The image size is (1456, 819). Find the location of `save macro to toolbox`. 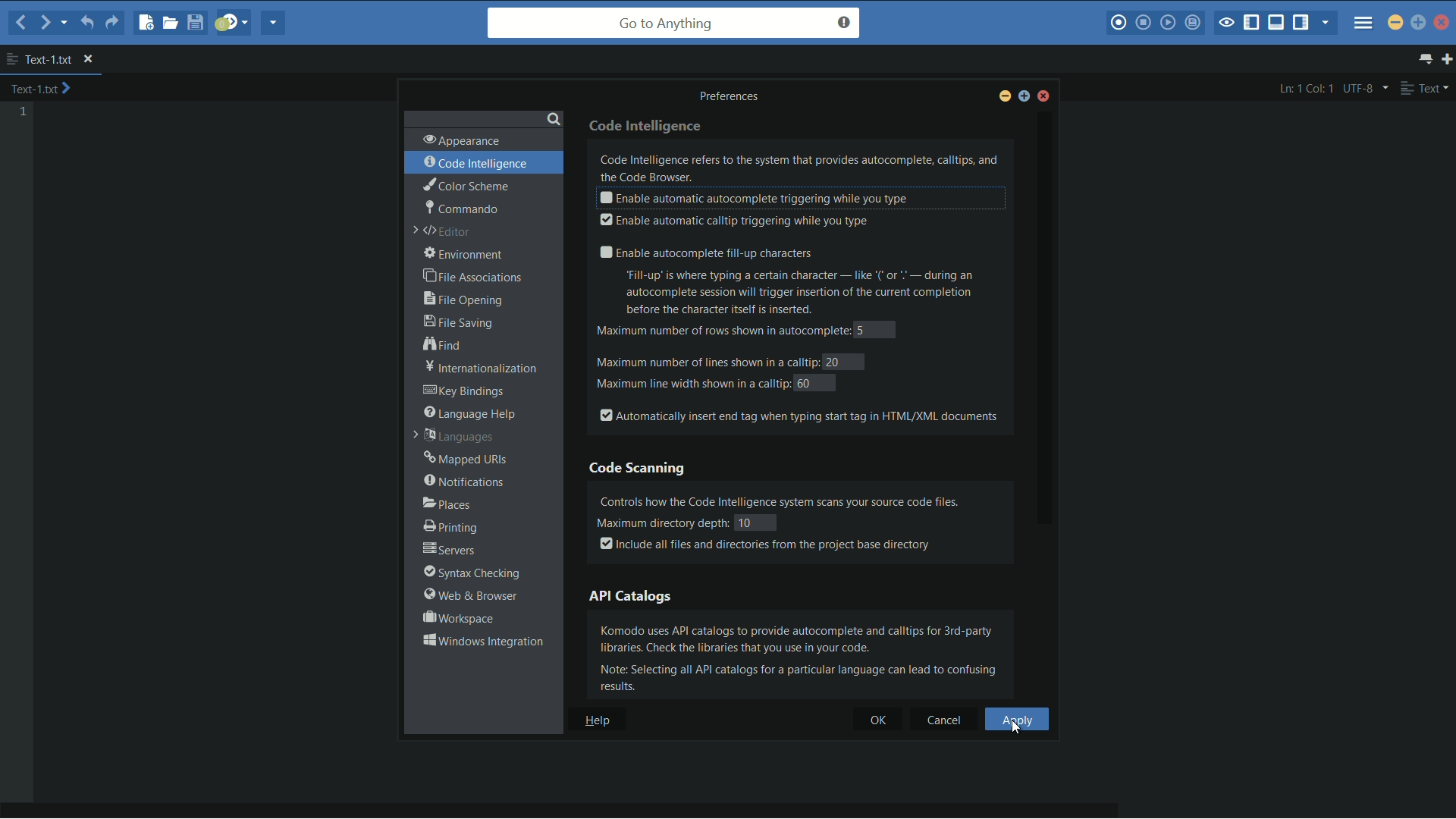

save macro to toolbox is located at coordinates (1191, 22).